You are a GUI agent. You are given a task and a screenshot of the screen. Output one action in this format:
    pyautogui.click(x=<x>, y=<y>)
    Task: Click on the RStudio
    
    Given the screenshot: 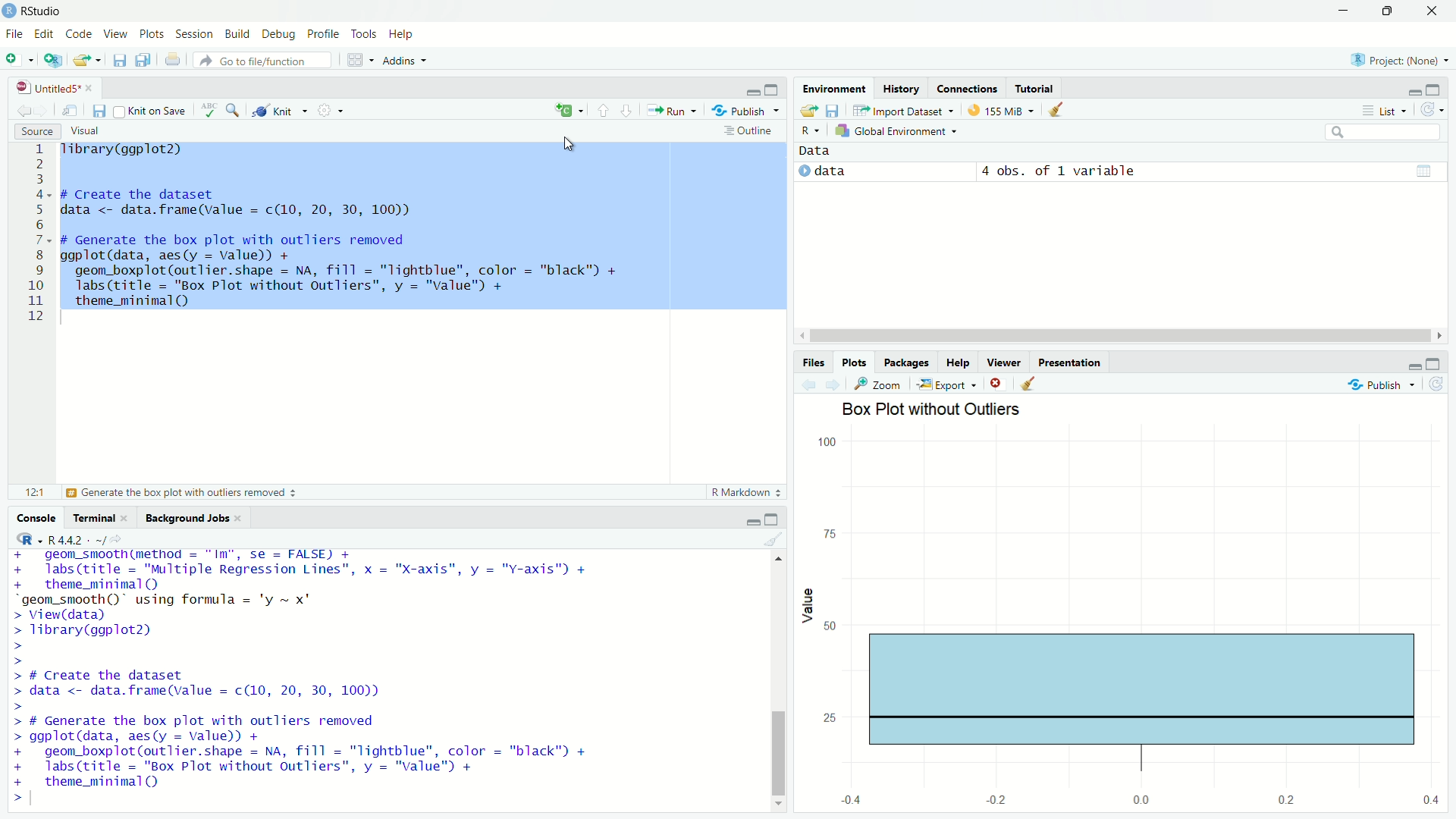 What is the action you would take?
    pyautogui.click(x=36, y=10)
    